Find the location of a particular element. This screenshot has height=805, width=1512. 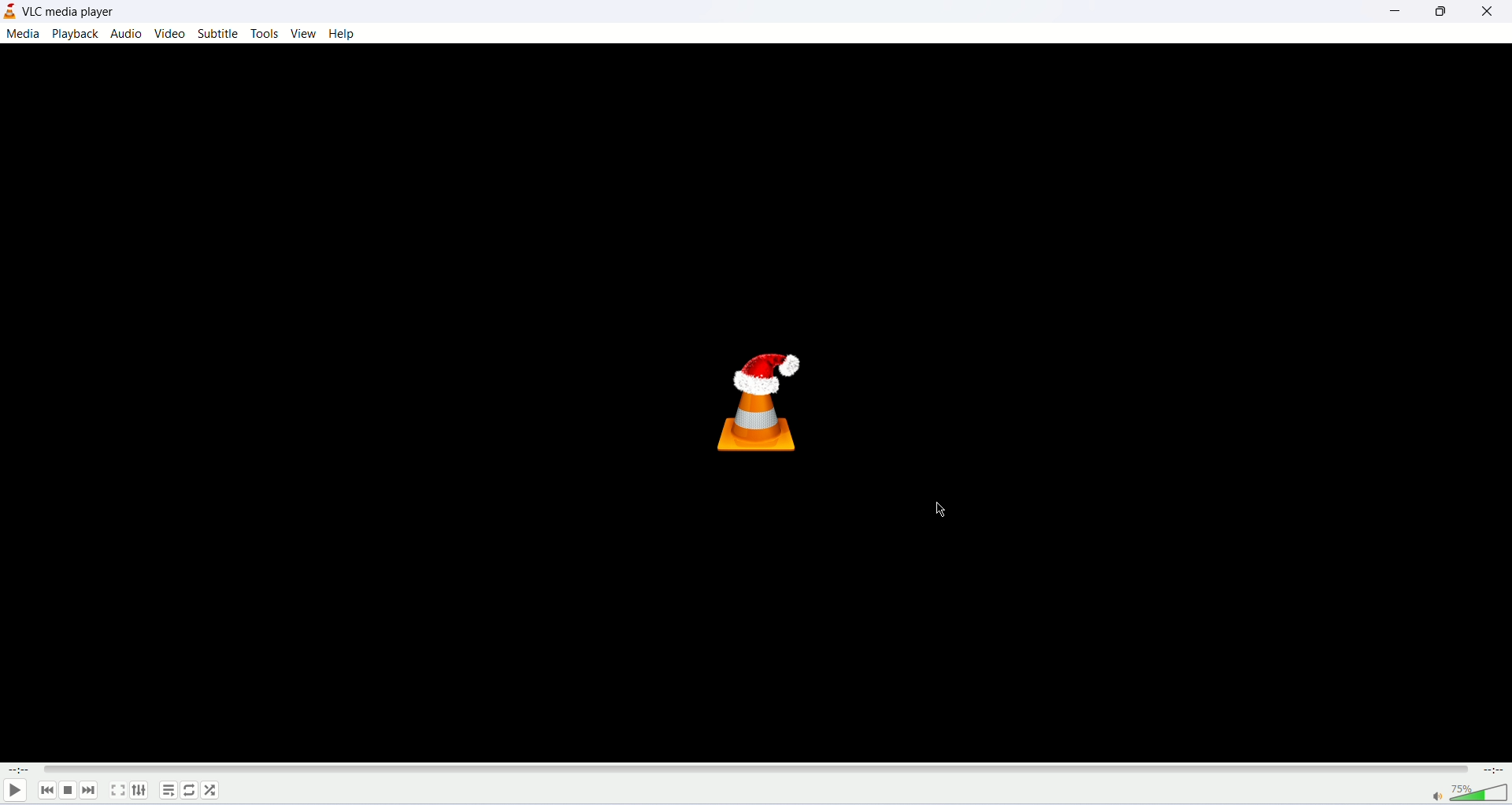

random is located at coordinates (211, 791).